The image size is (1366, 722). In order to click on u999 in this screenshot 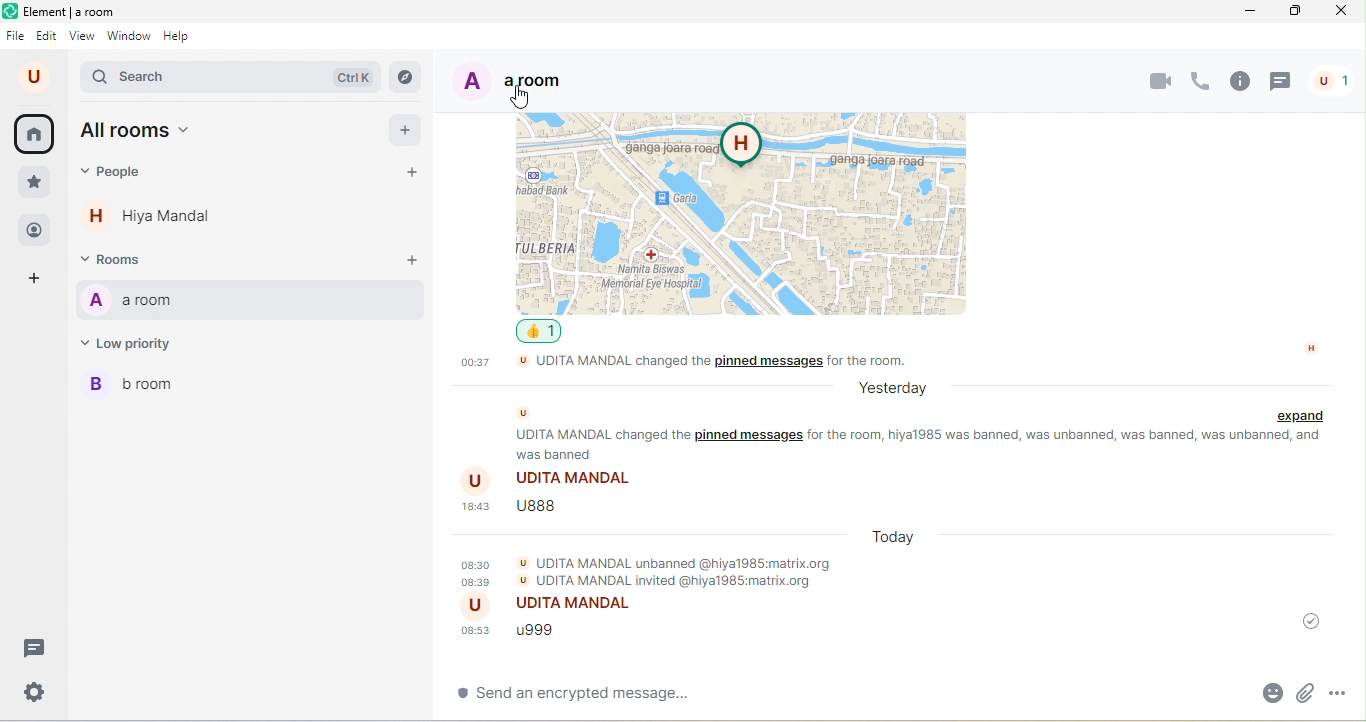, I will do `click(520, 632)`.